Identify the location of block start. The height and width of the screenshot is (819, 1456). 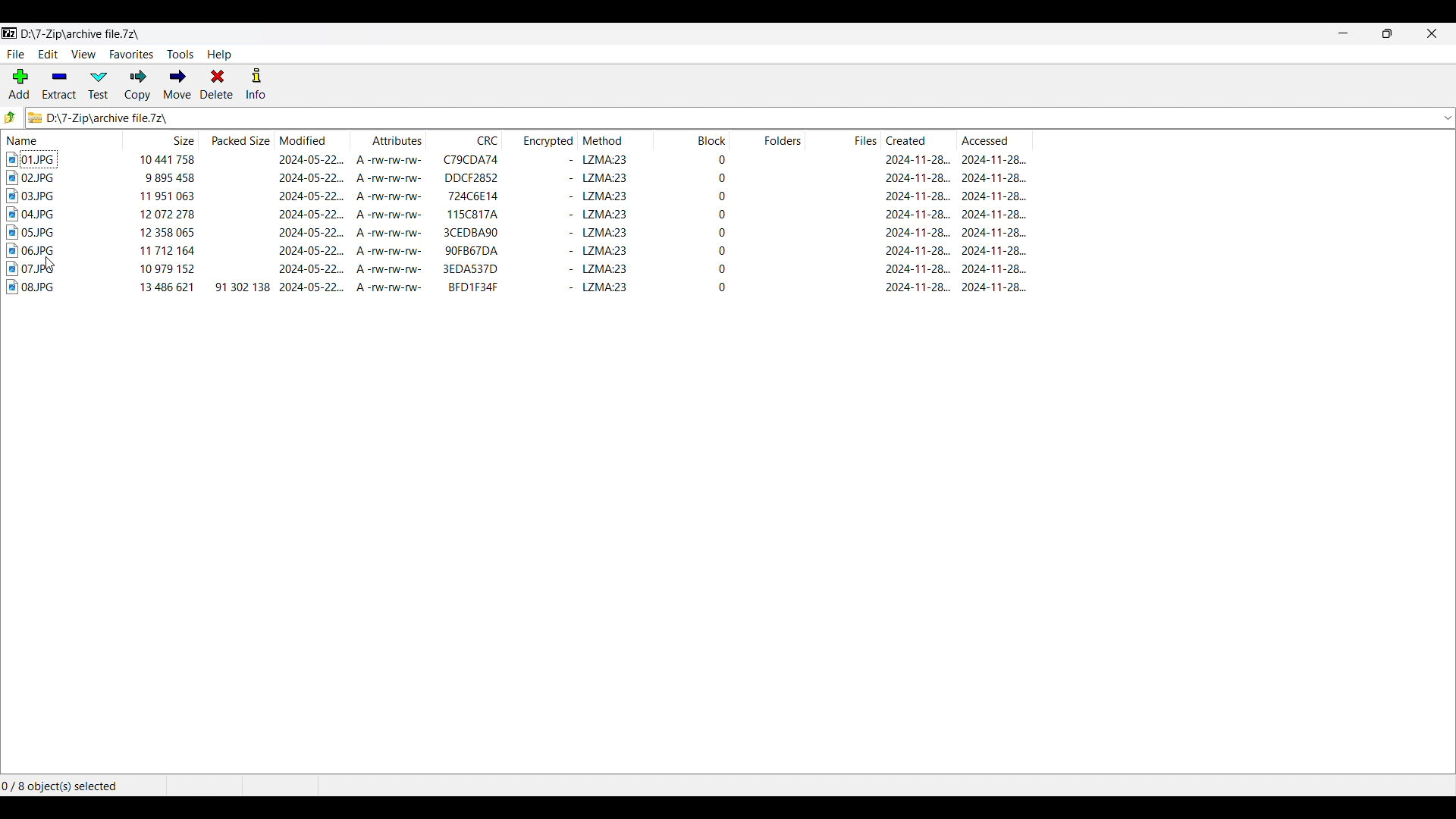
(718, 251).